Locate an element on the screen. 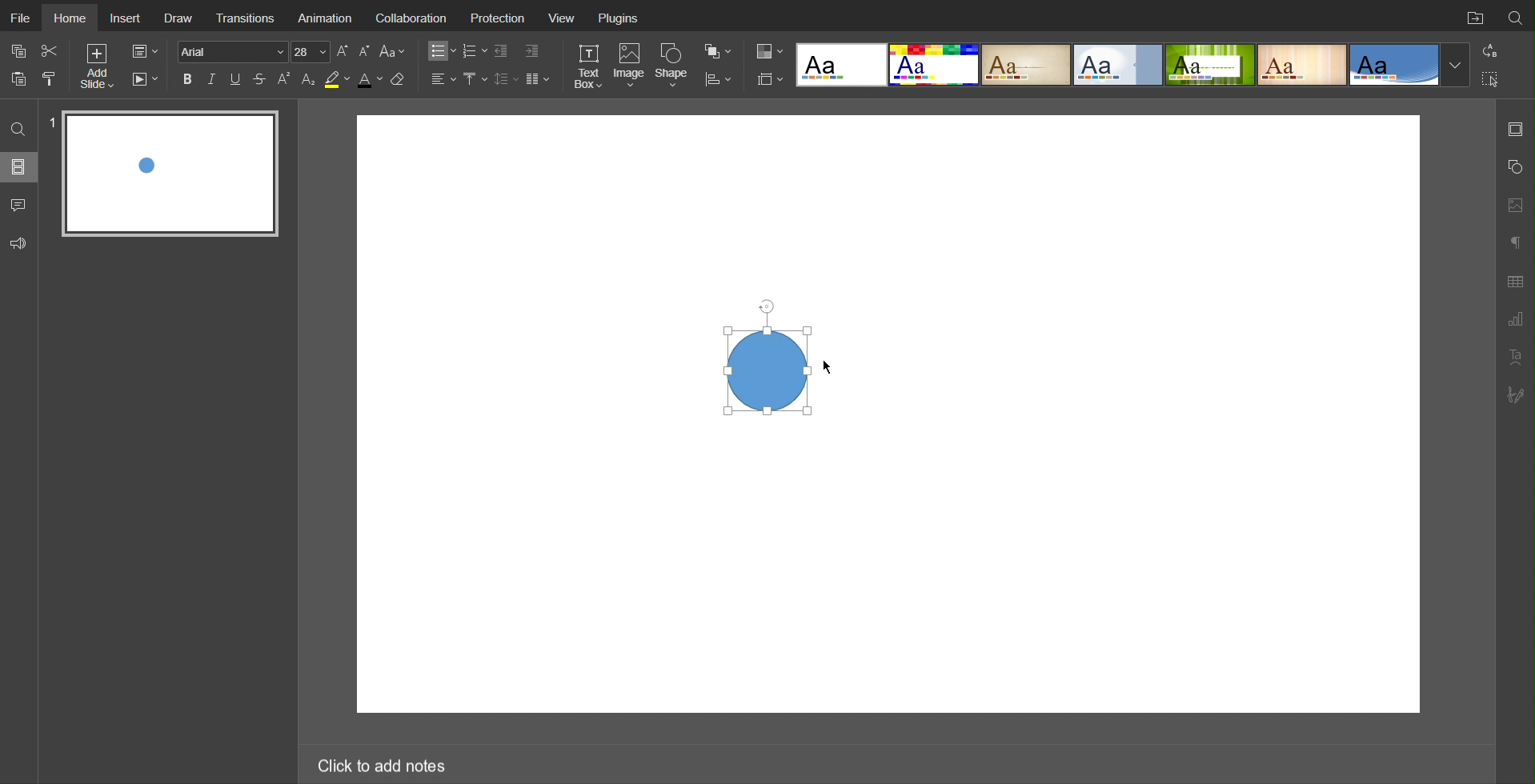  Slide Settings is located at coordinates (143, 52).